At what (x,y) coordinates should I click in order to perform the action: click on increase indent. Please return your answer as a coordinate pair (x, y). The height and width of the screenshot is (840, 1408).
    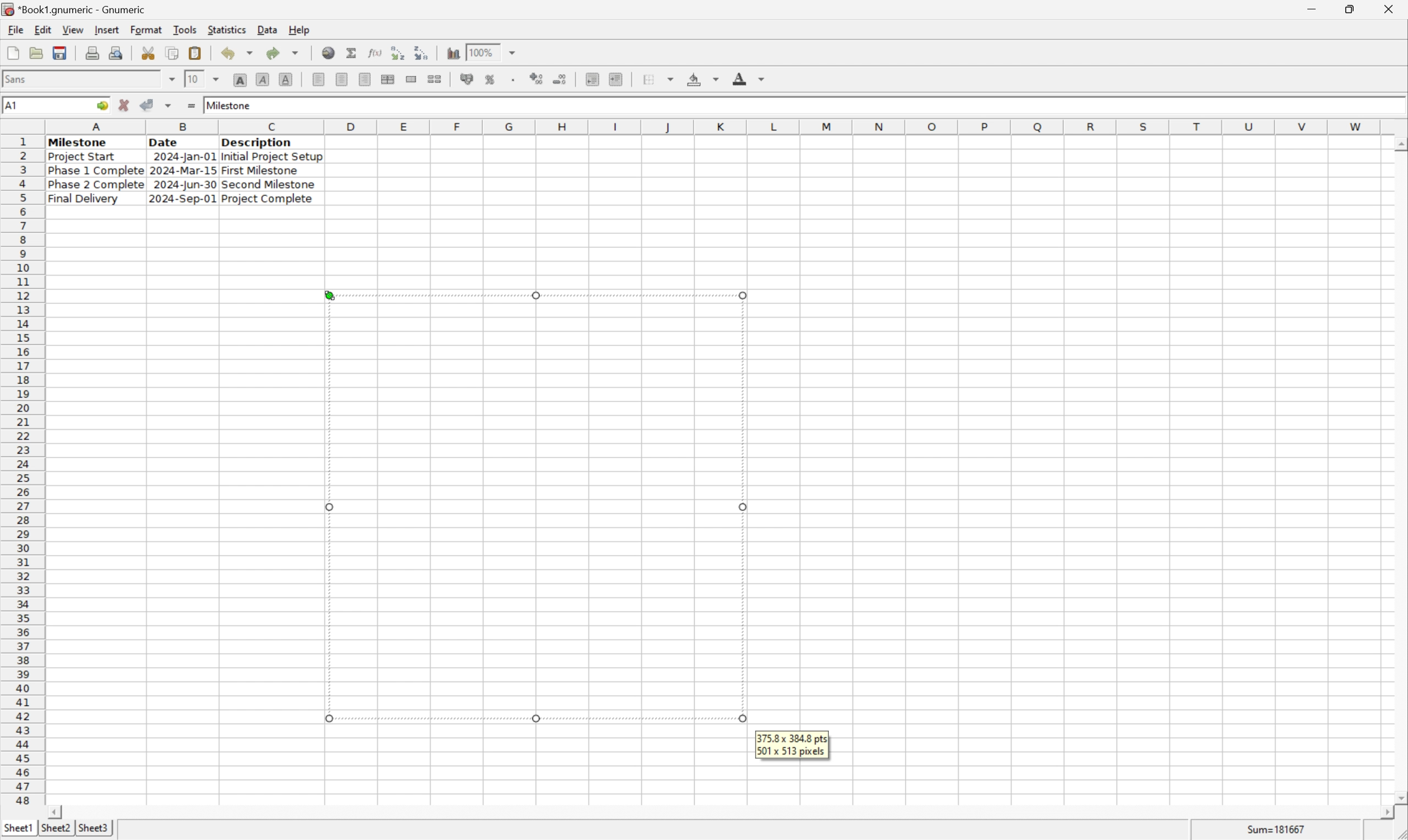
    Looking at the image, I should click on (619, 79).